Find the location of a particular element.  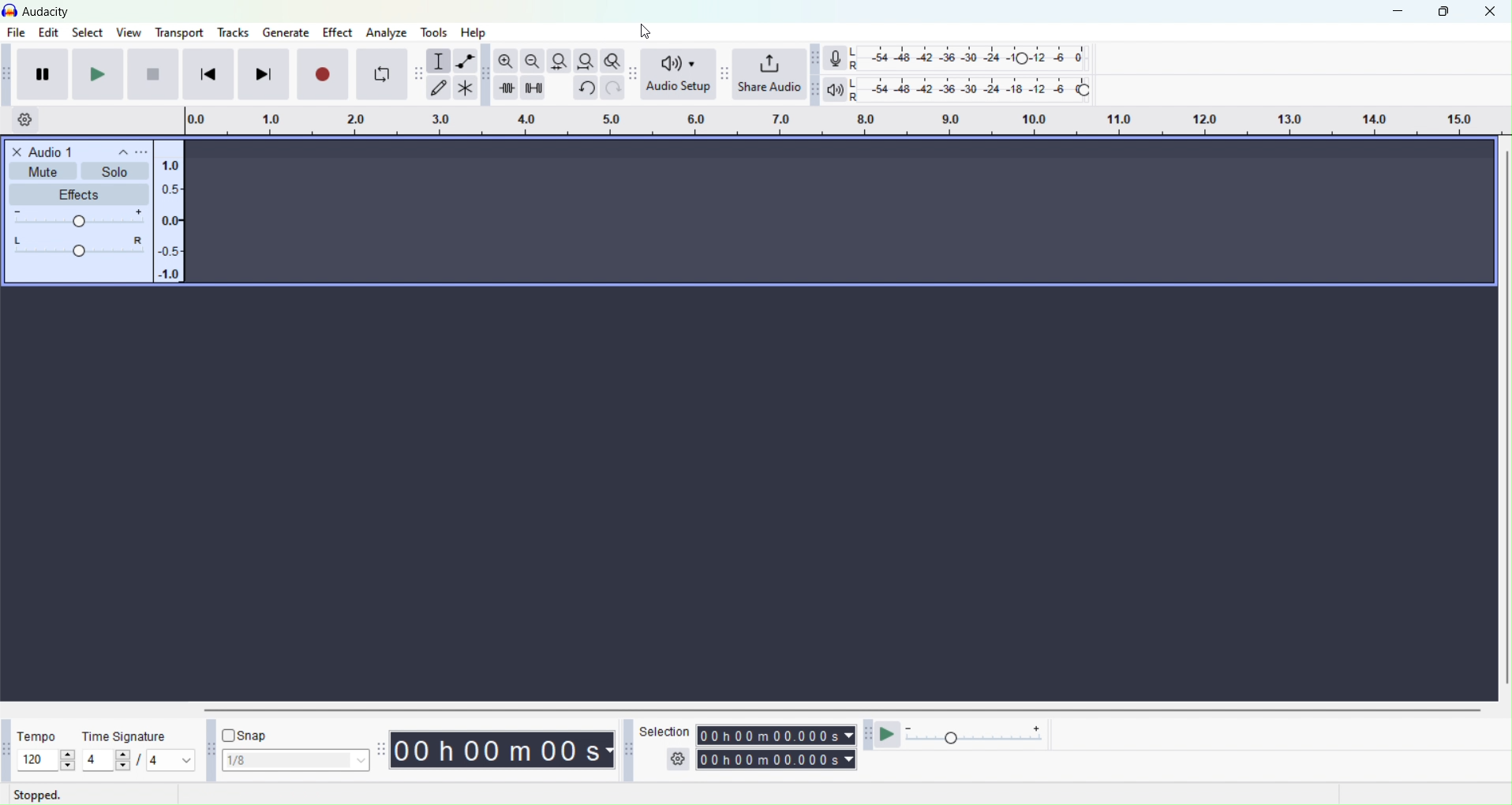

collapse is located at coordinates (117, 152).